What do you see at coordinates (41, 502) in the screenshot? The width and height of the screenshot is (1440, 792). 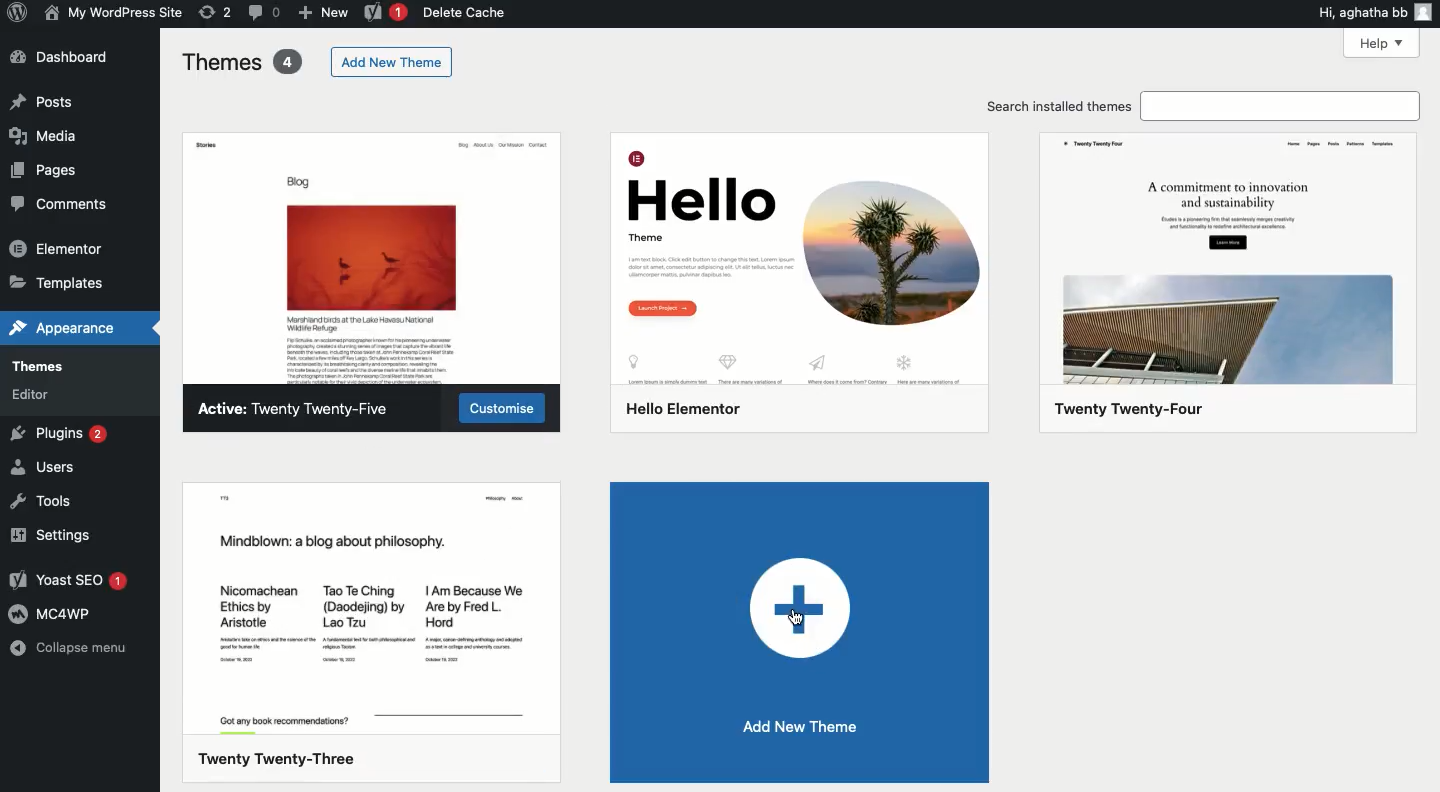 I see `Tools` at bounding box center [41, 502].